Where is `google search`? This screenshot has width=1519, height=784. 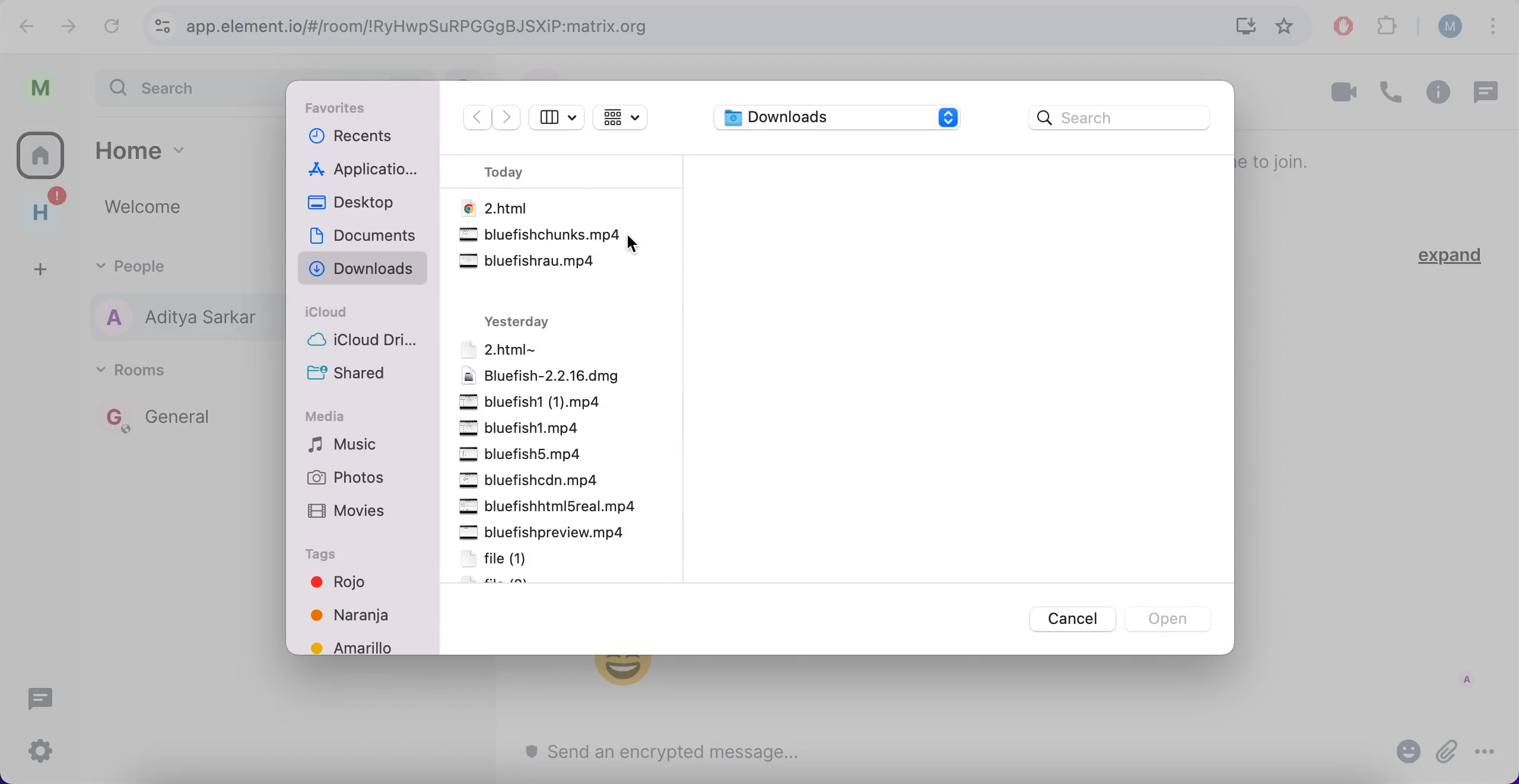
google search is located at coordinates (725, 27).